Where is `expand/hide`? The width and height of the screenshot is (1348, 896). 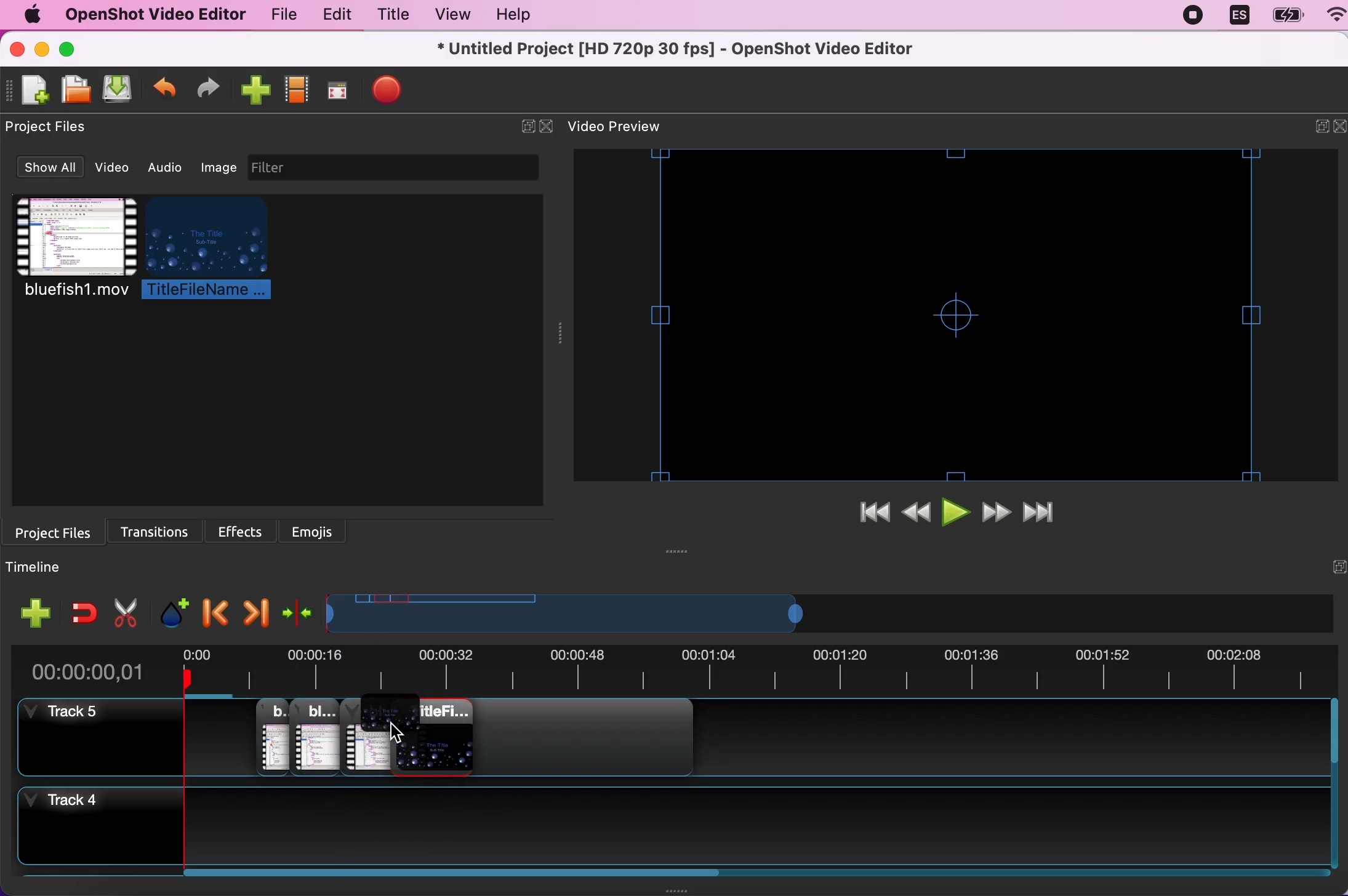
expand/hide is located at coordinates (524, 127).